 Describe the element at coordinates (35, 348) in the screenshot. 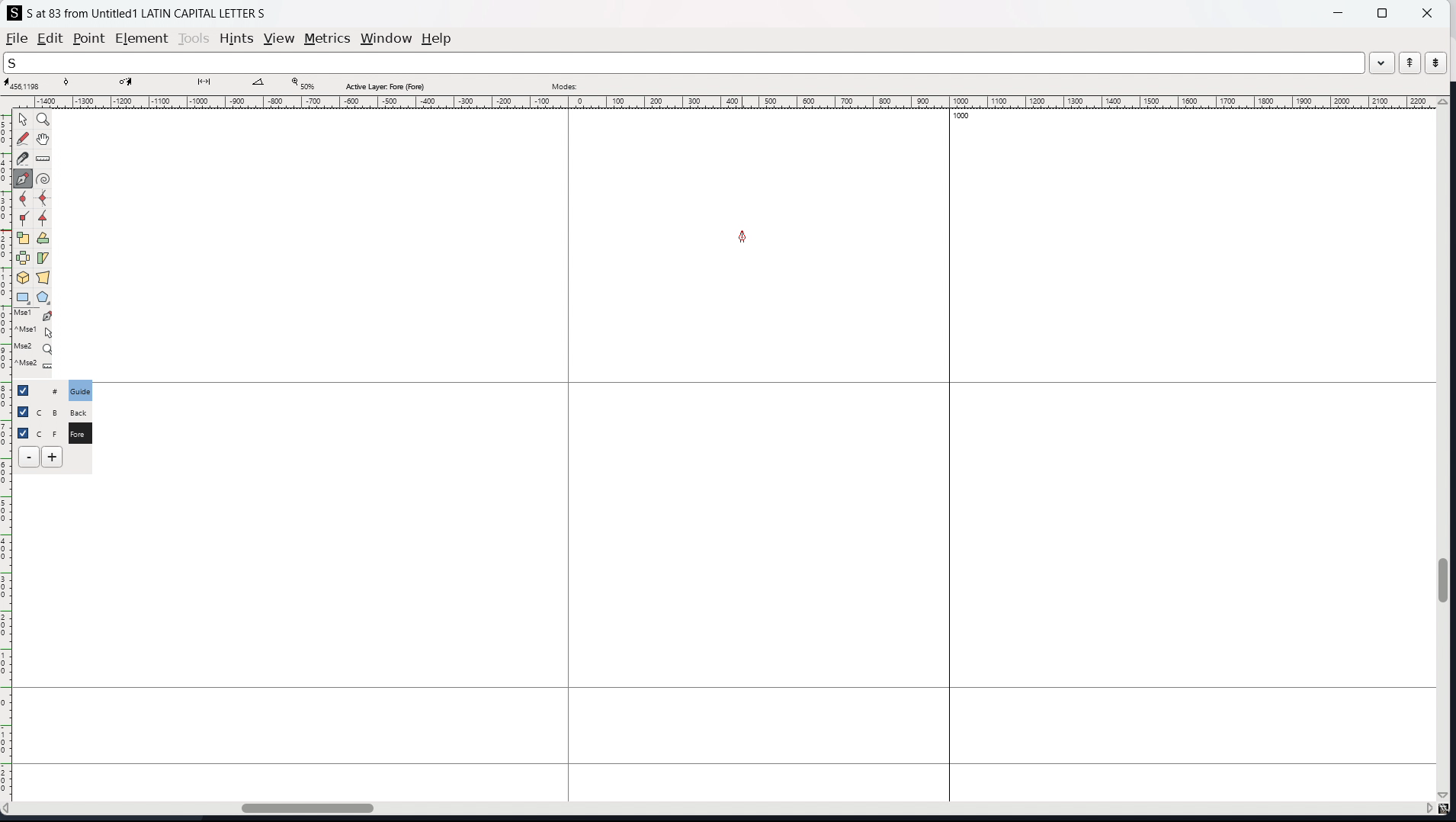

I see `Mse2` at that location.